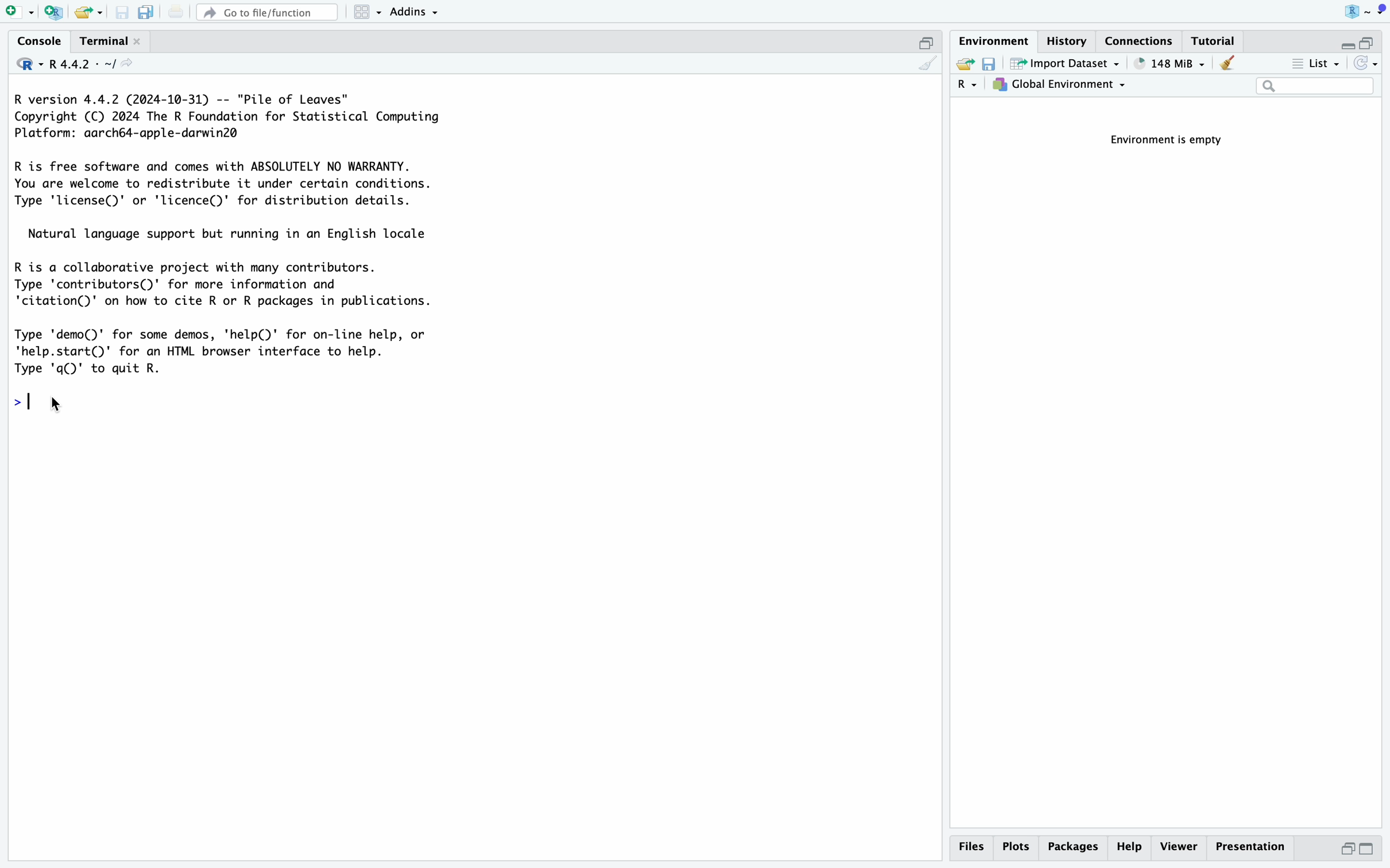 Image resolution: width=1390 pixels, height=868 pixels. I want to click on save workspace as, so click(993, 65).